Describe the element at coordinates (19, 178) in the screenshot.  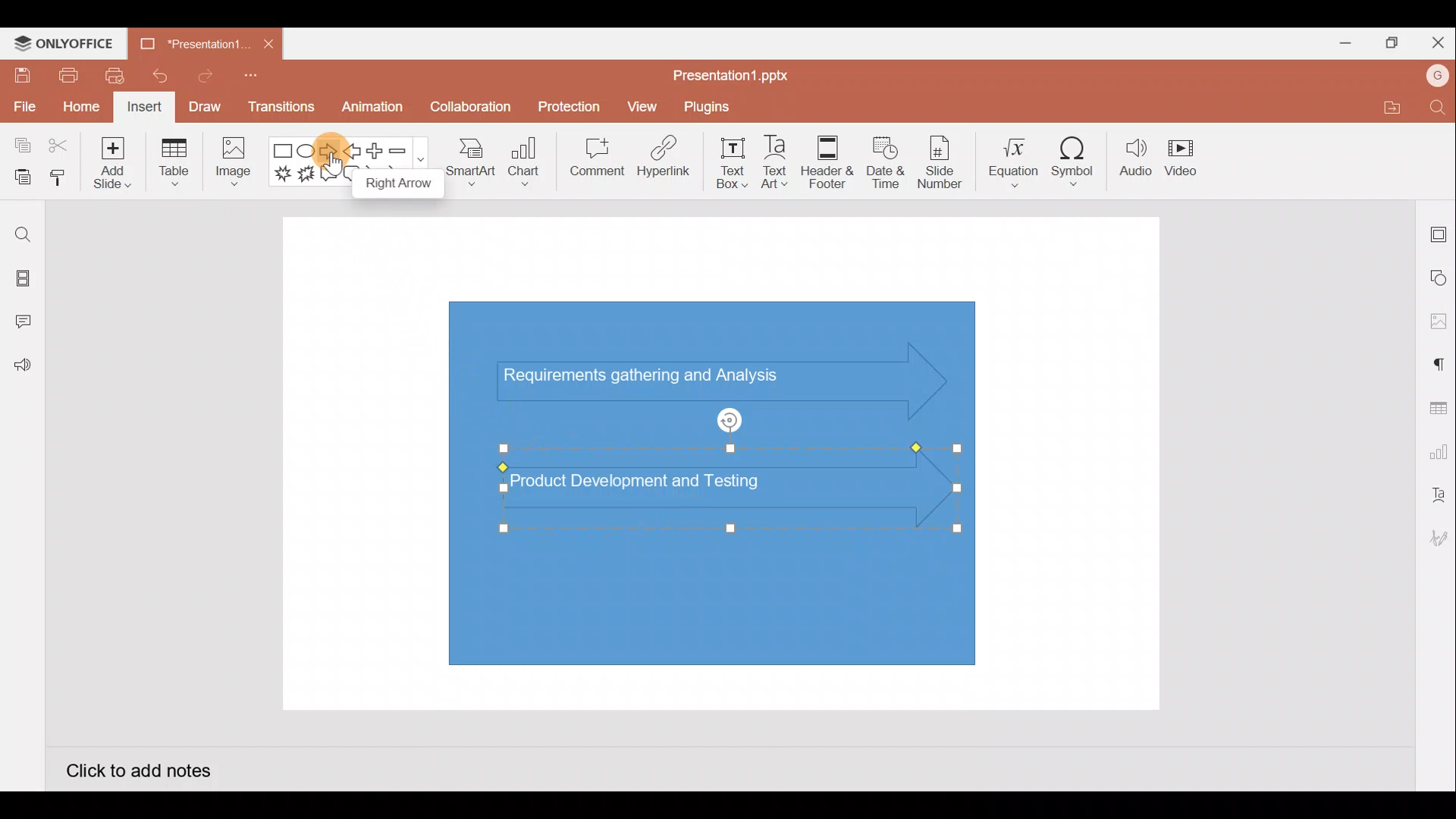
I see `Paste` at that location.